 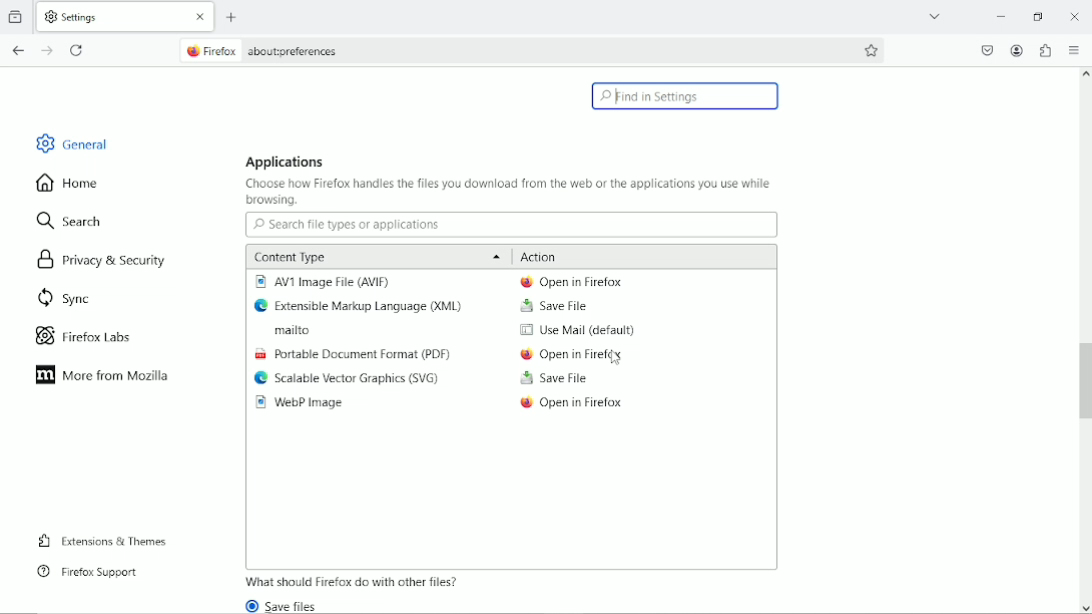 What do you see at coordinates (570, 281) in the screenshot?
I see `Open in firefox` at bounding box center [570, 281].